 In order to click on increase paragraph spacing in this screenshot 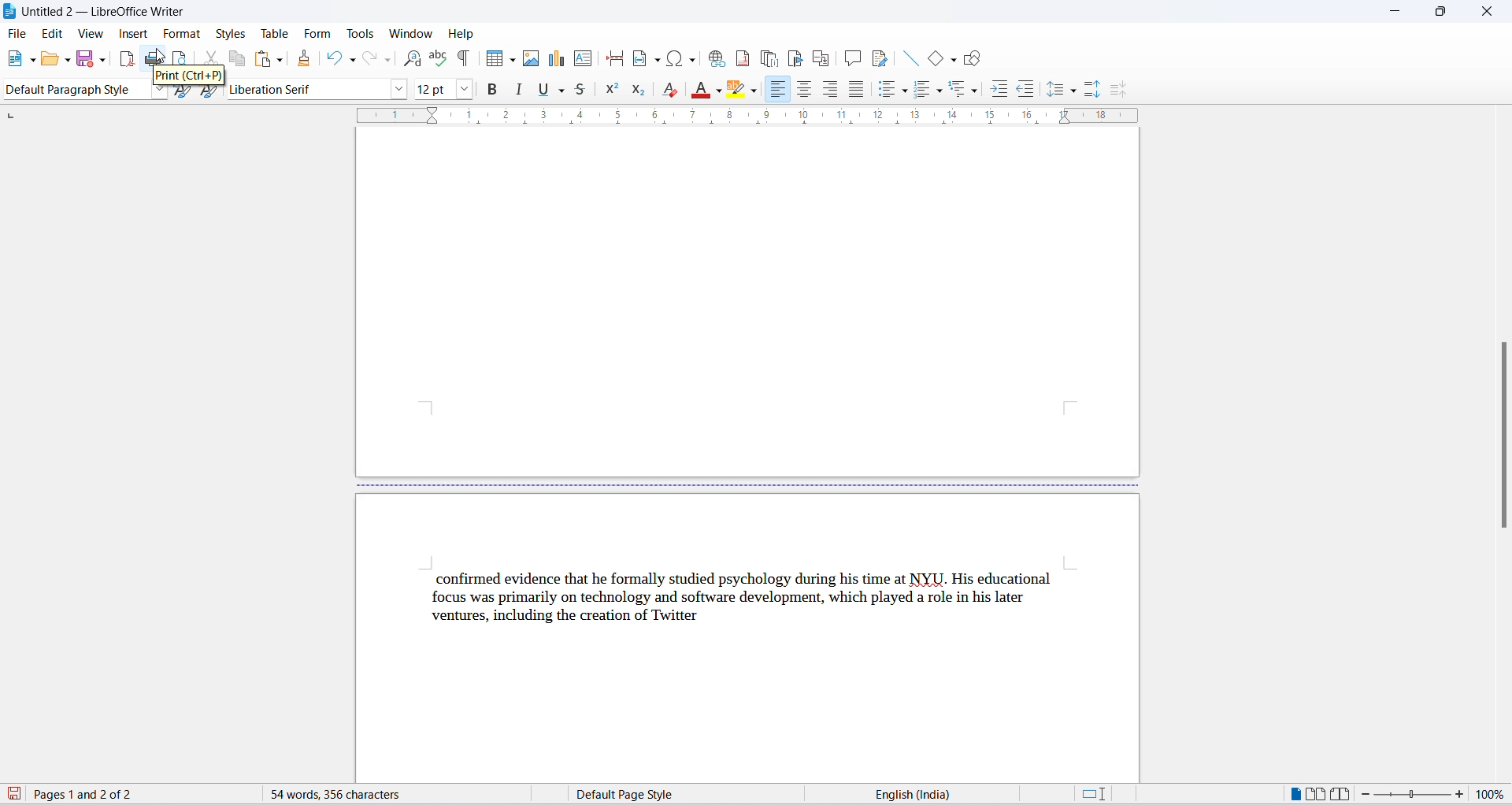, I will do `click(1091, 89)`.